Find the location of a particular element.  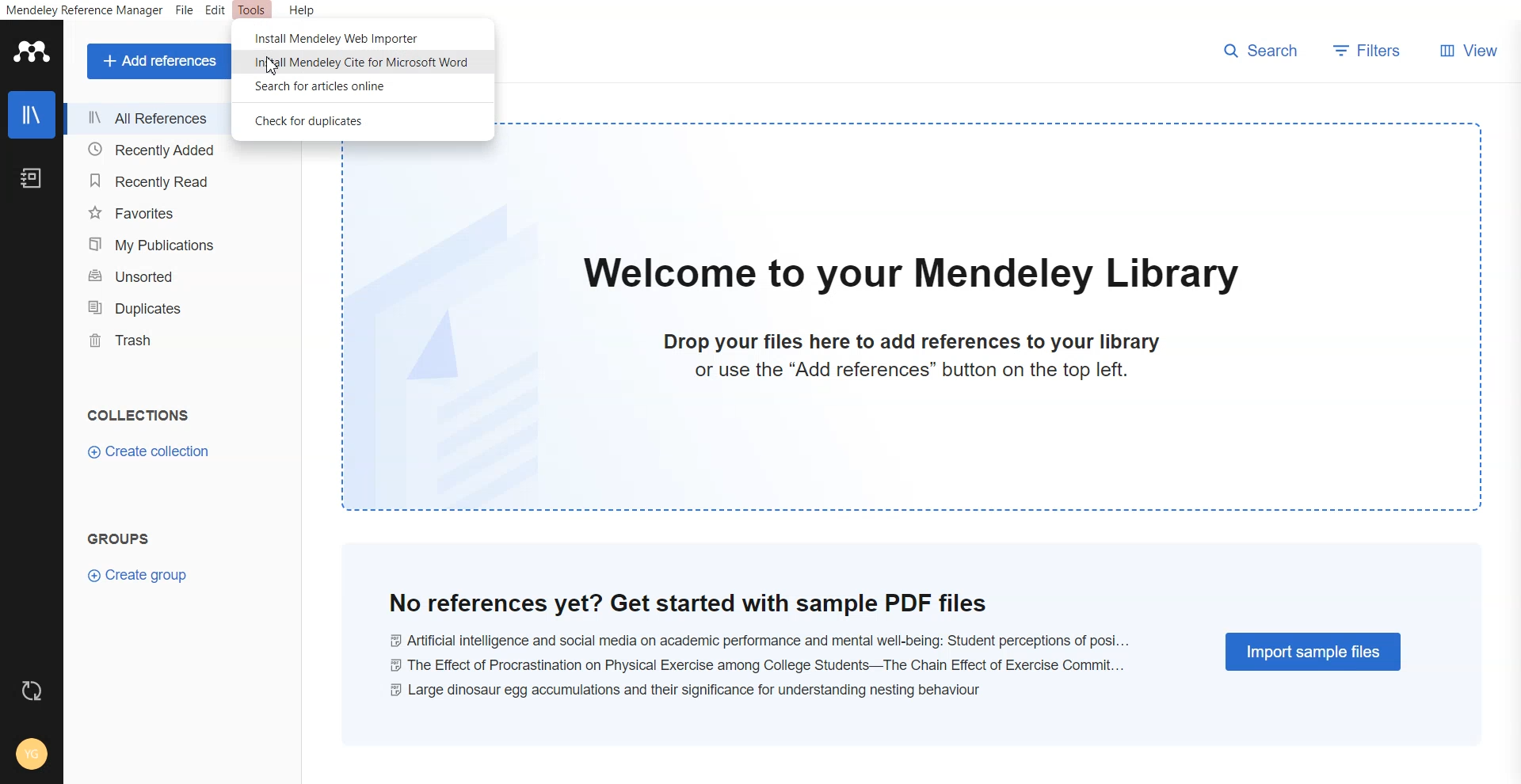

Account is located at coordinates (32, 755).